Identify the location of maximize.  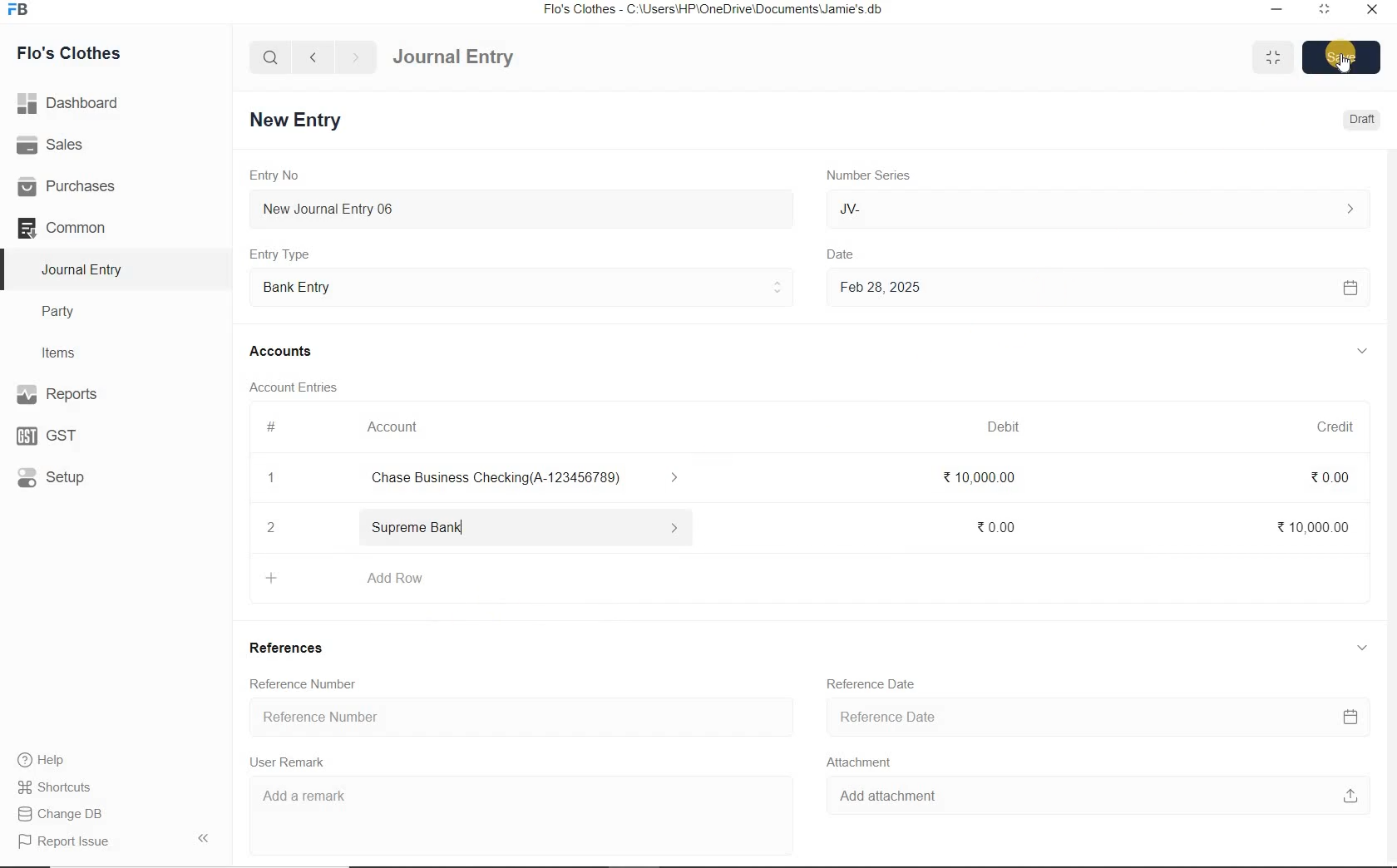
(1325, 8).